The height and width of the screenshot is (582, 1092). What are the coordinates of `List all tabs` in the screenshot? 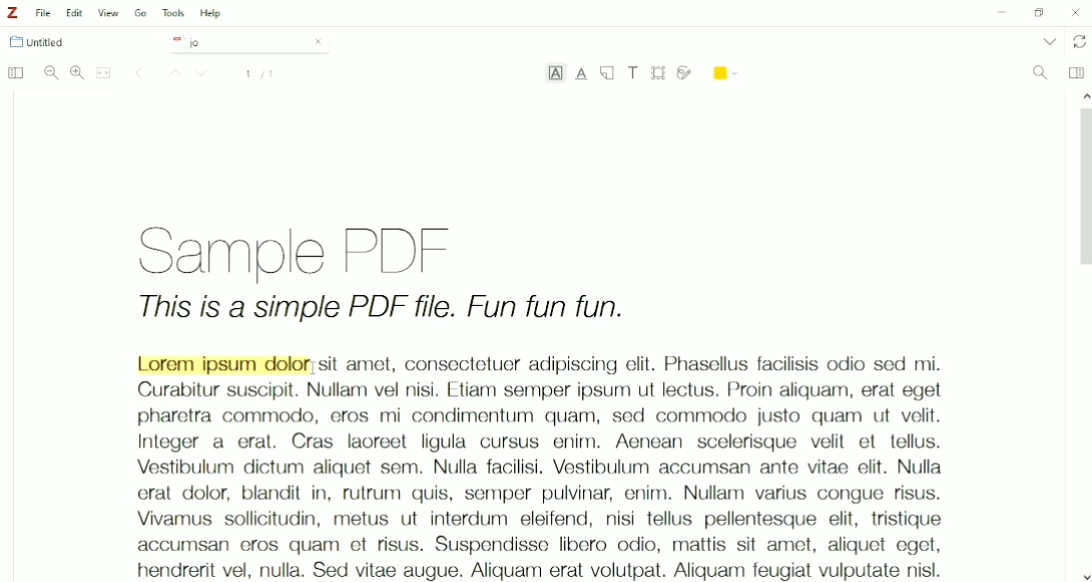 It's located at (1048, 41).